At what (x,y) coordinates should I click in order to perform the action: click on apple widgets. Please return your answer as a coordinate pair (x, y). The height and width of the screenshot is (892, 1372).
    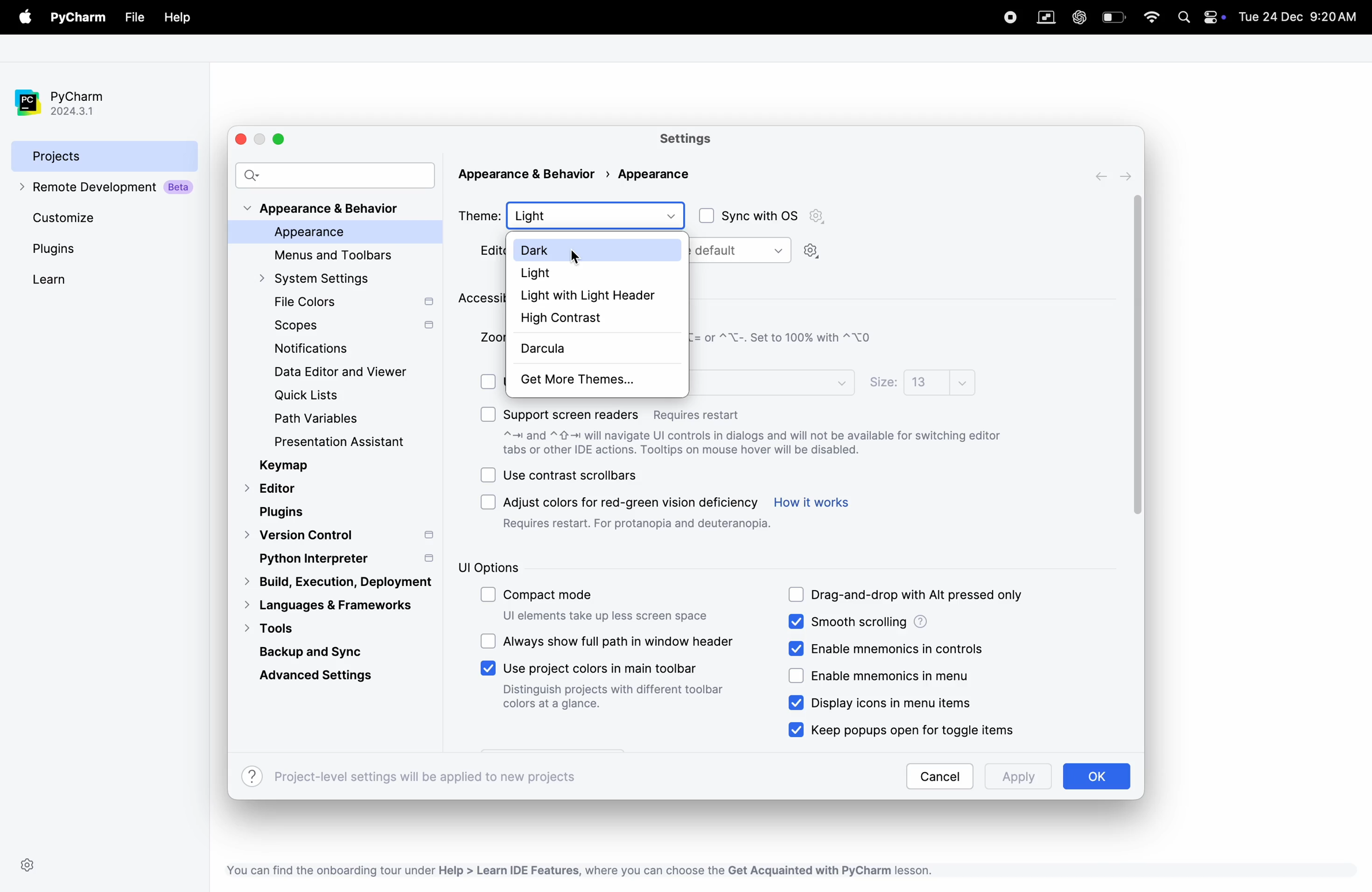
    Looking at the image, I should click on (1213, 18).